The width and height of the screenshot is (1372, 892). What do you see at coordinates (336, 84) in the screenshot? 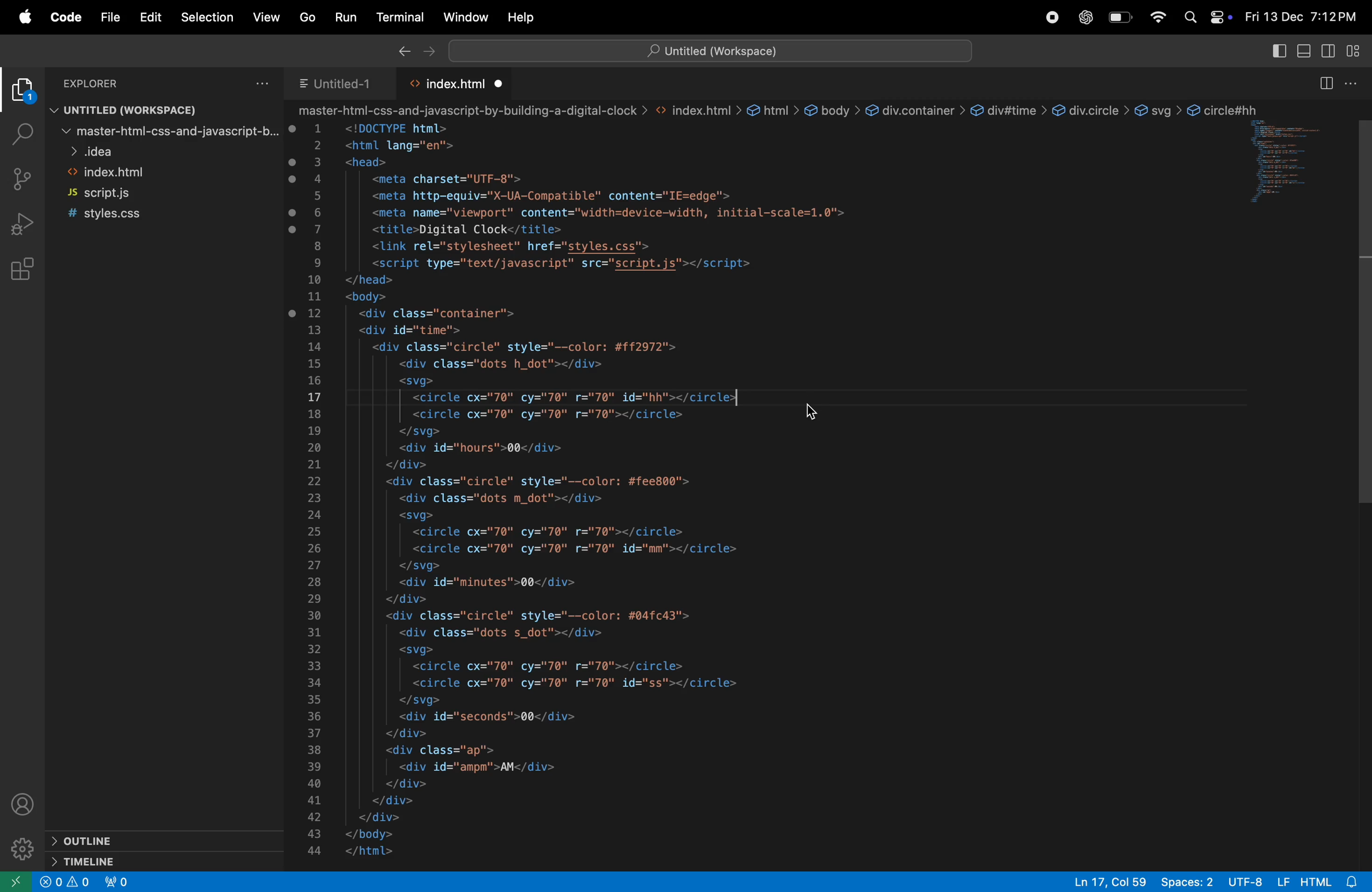
I see `untitled 1` at bounding box center [336, 84].